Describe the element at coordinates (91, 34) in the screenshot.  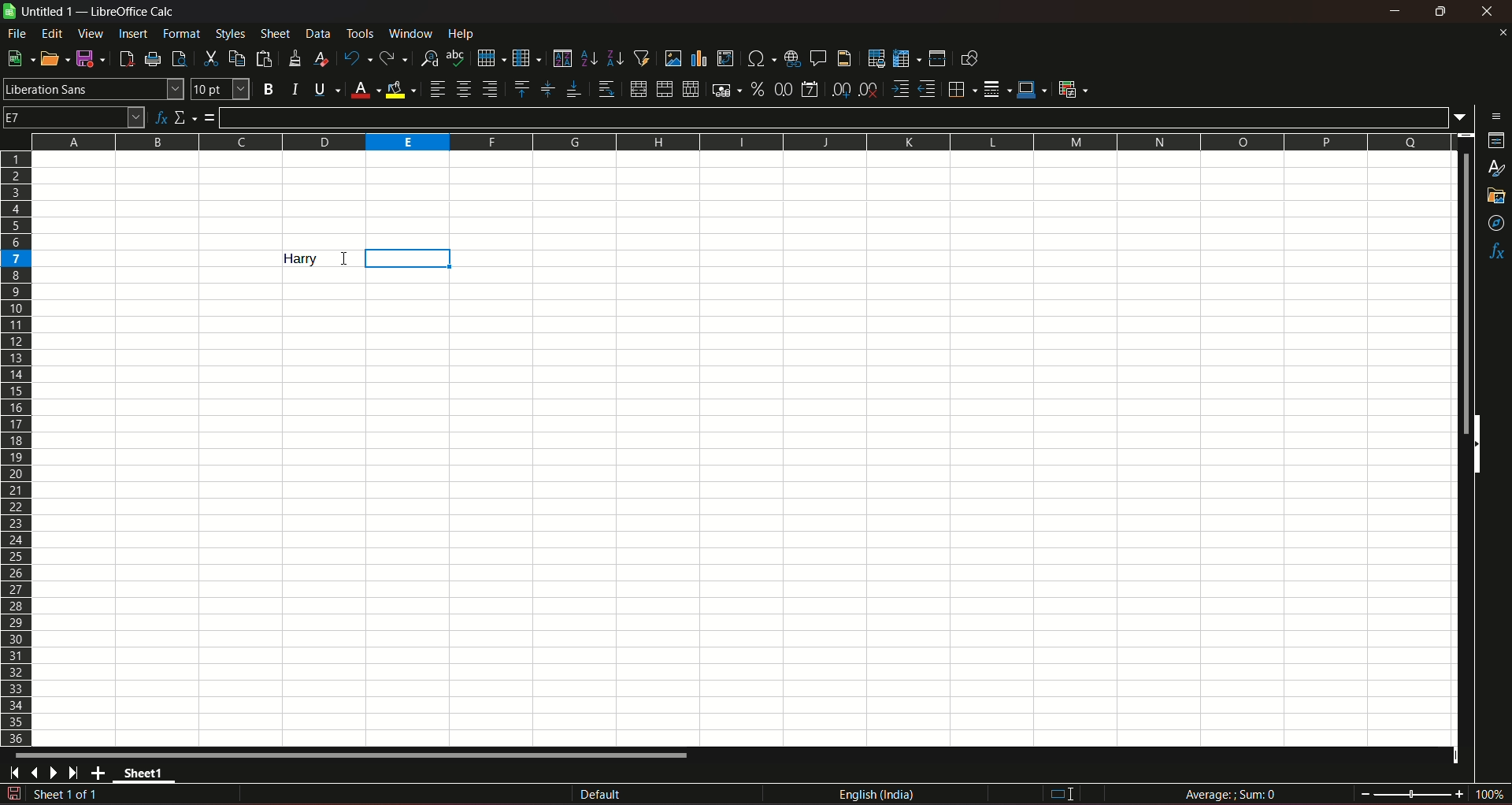
I see `view` at that location.